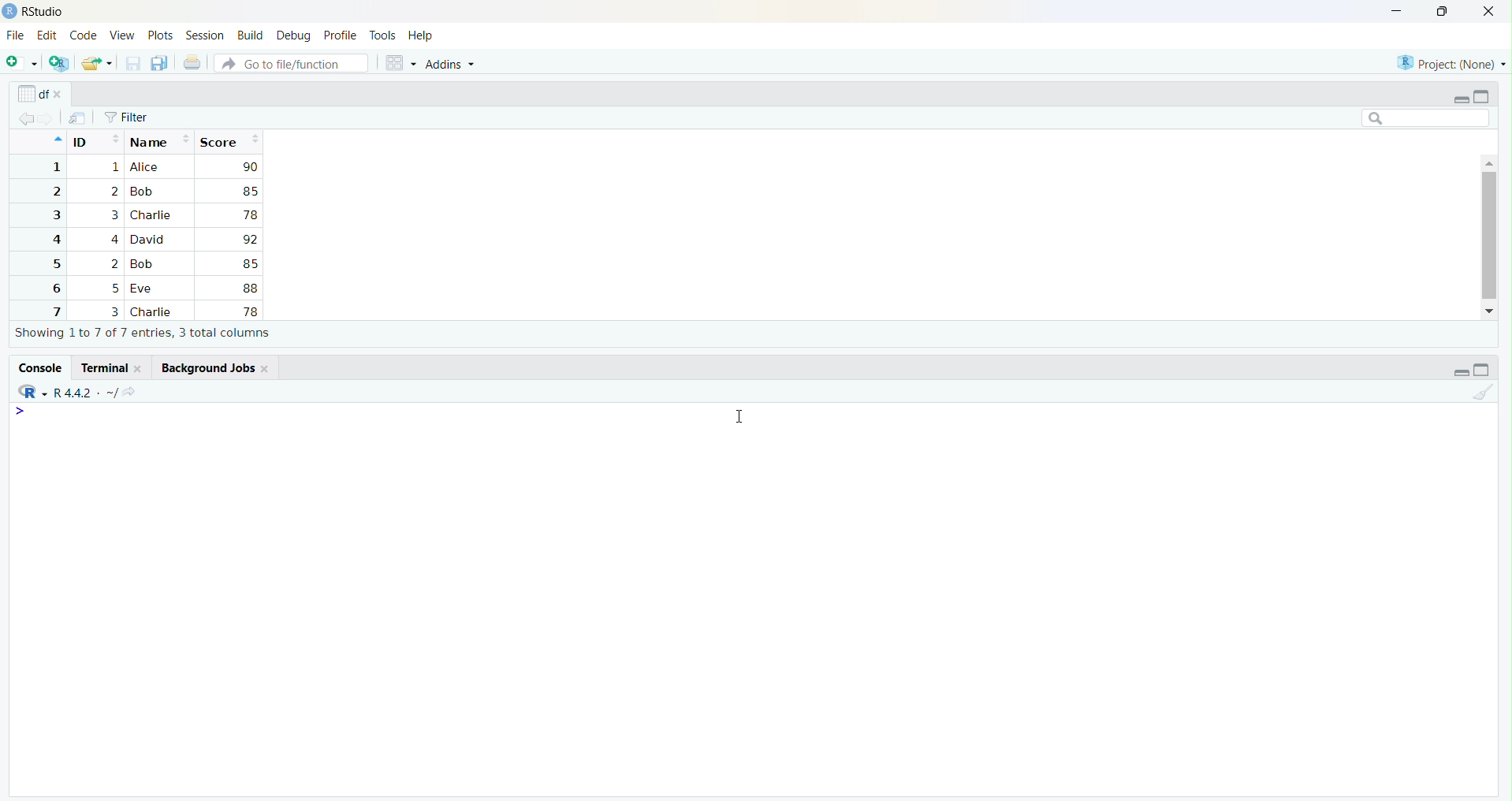  Describe the element at coordinates (229, 141) in the screenshot. I see `score` at that location.